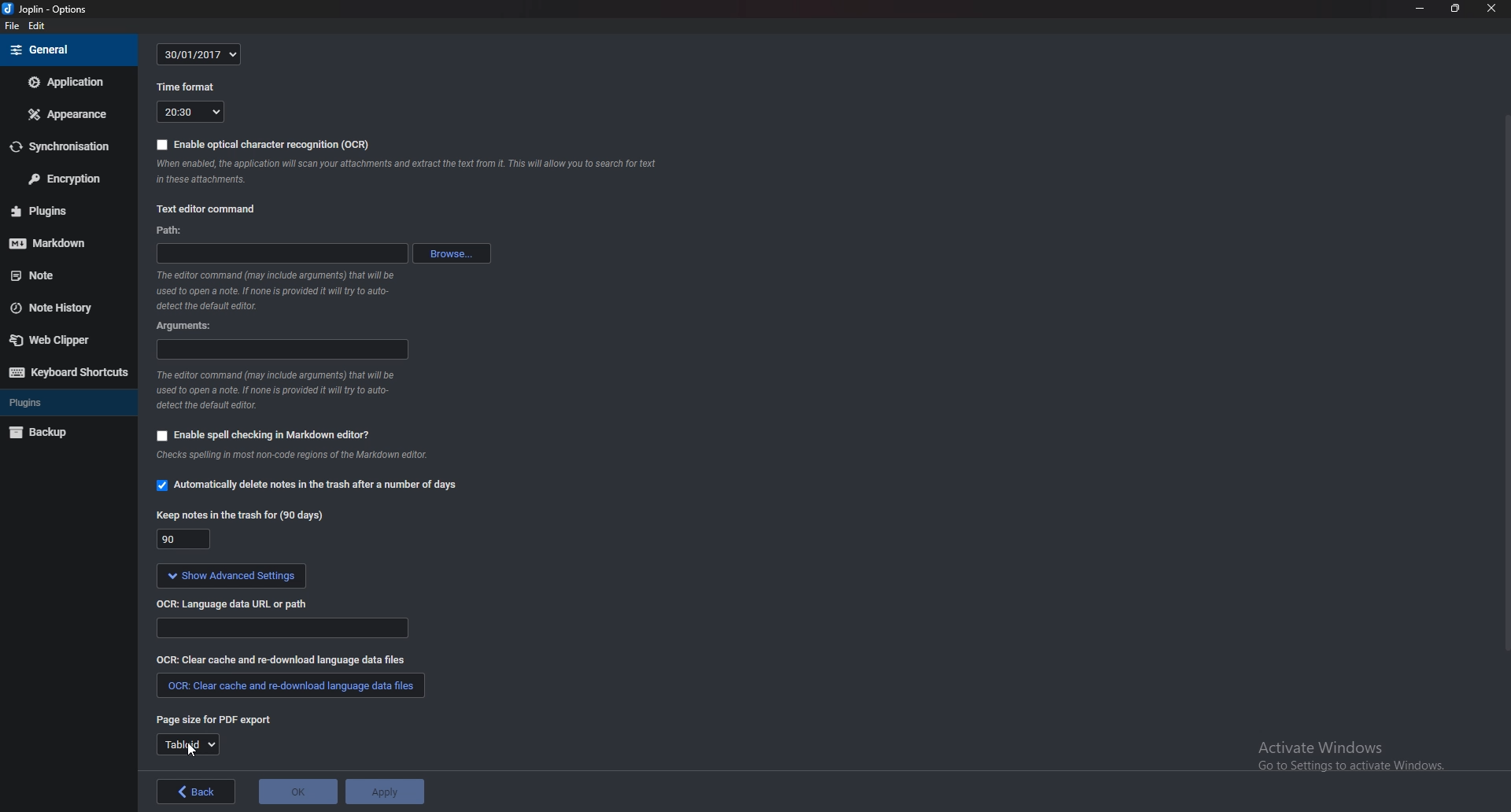  I want to click on Appearance, so click(68, 114).